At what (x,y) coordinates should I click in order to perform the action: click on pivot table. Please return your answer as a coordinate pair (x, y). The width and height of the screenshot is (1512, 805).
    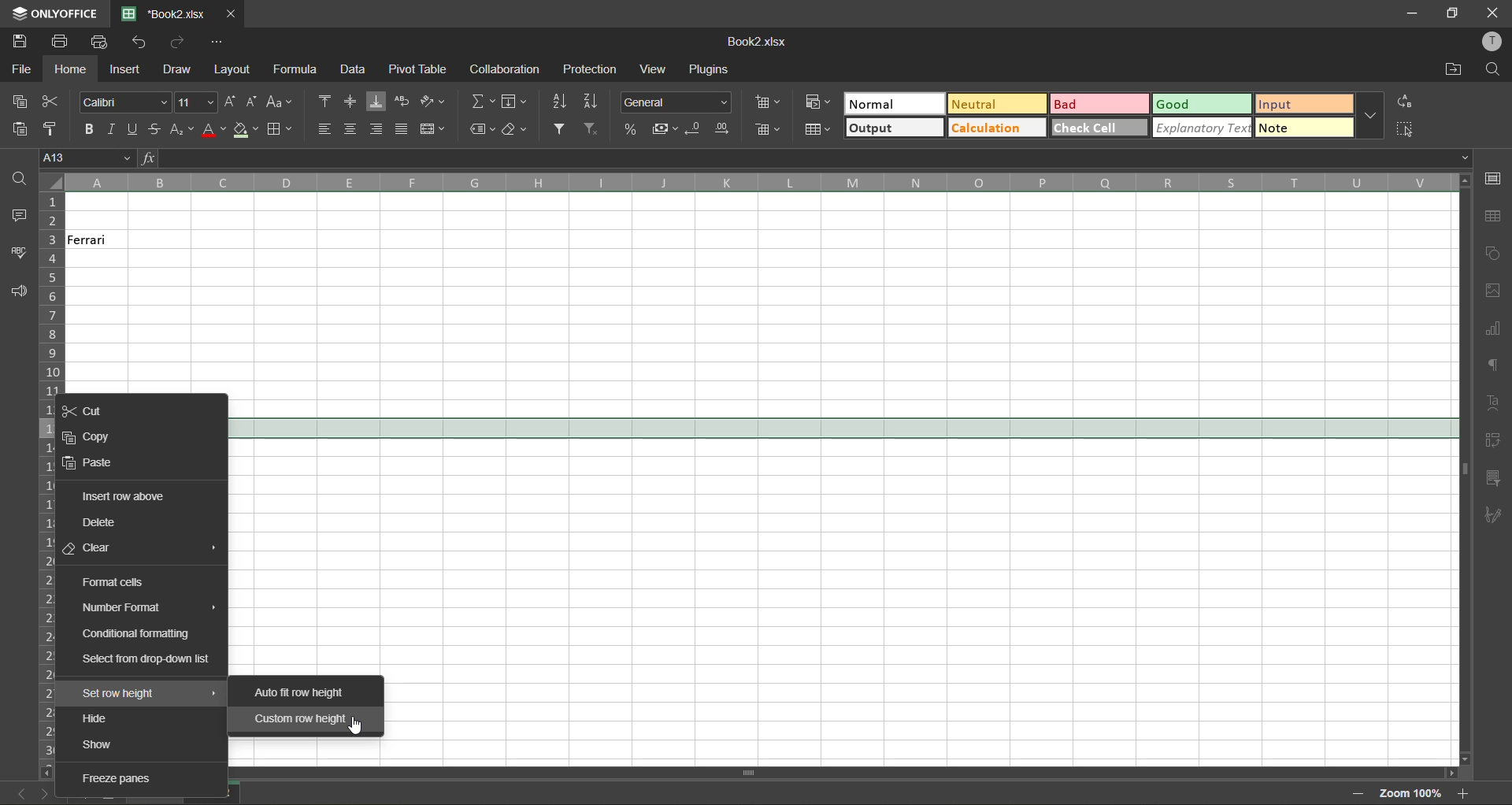
    Looking at the image, I should click on (1495, 441).